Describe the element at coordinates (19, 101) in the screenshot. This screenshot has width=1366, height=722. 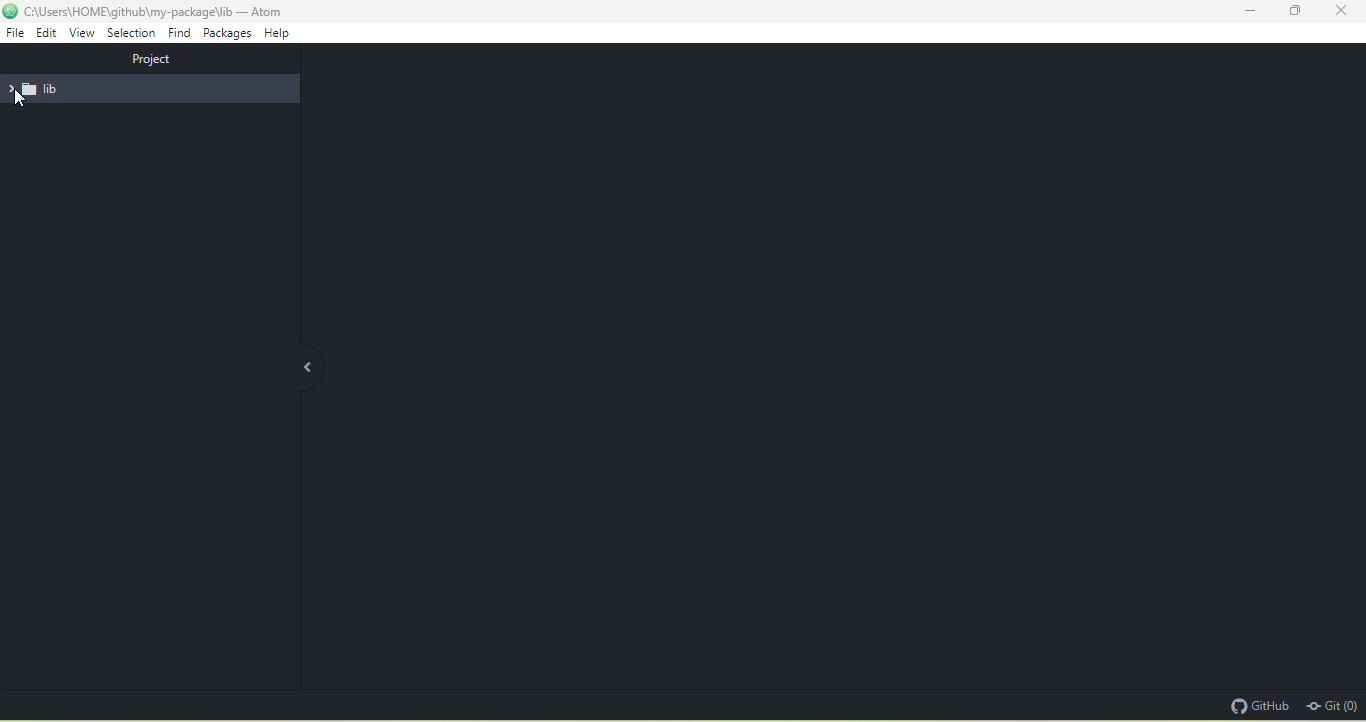
I see `cursor` at that location.